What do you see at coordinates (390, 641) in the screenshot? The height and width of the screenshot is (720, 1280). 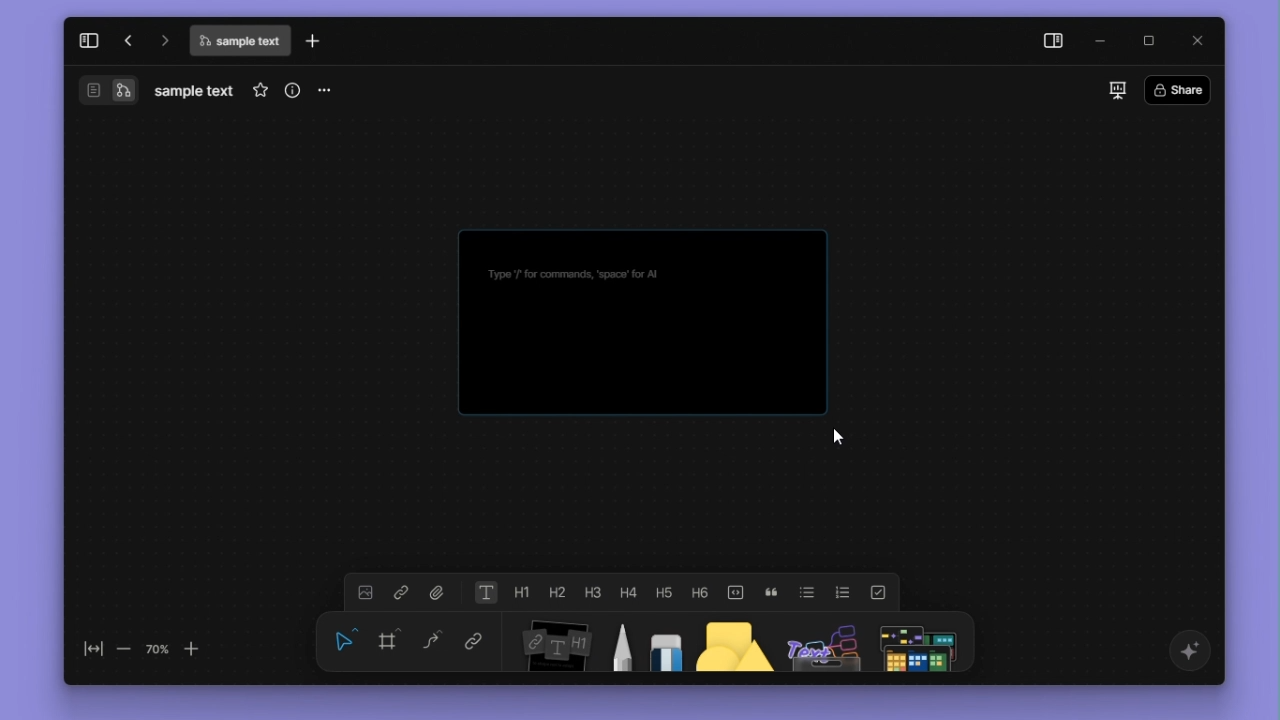 I see `frame f` at bounding box center [390, 641].